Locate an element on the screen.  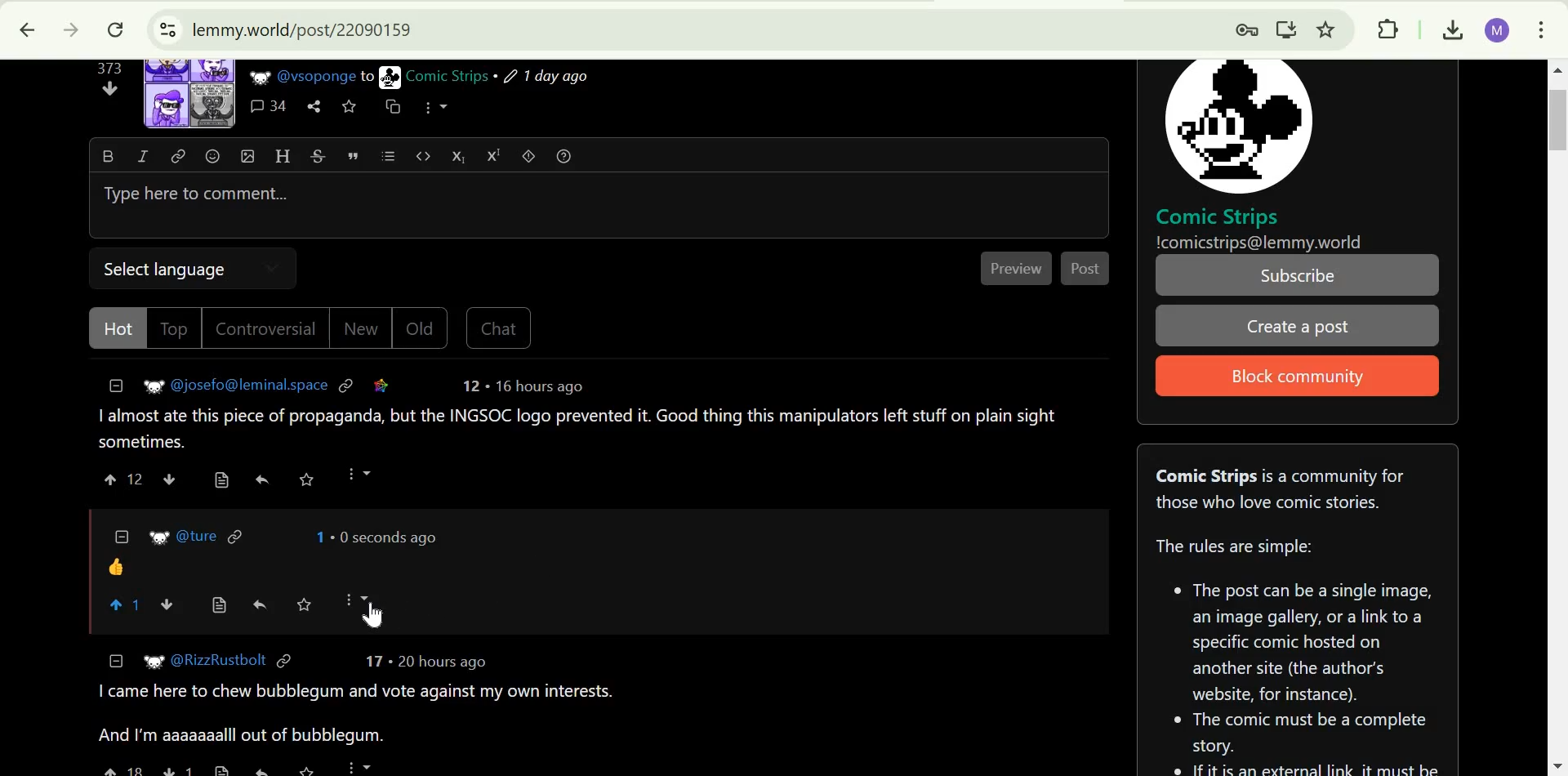
view source is located at coordinates (224, 769).